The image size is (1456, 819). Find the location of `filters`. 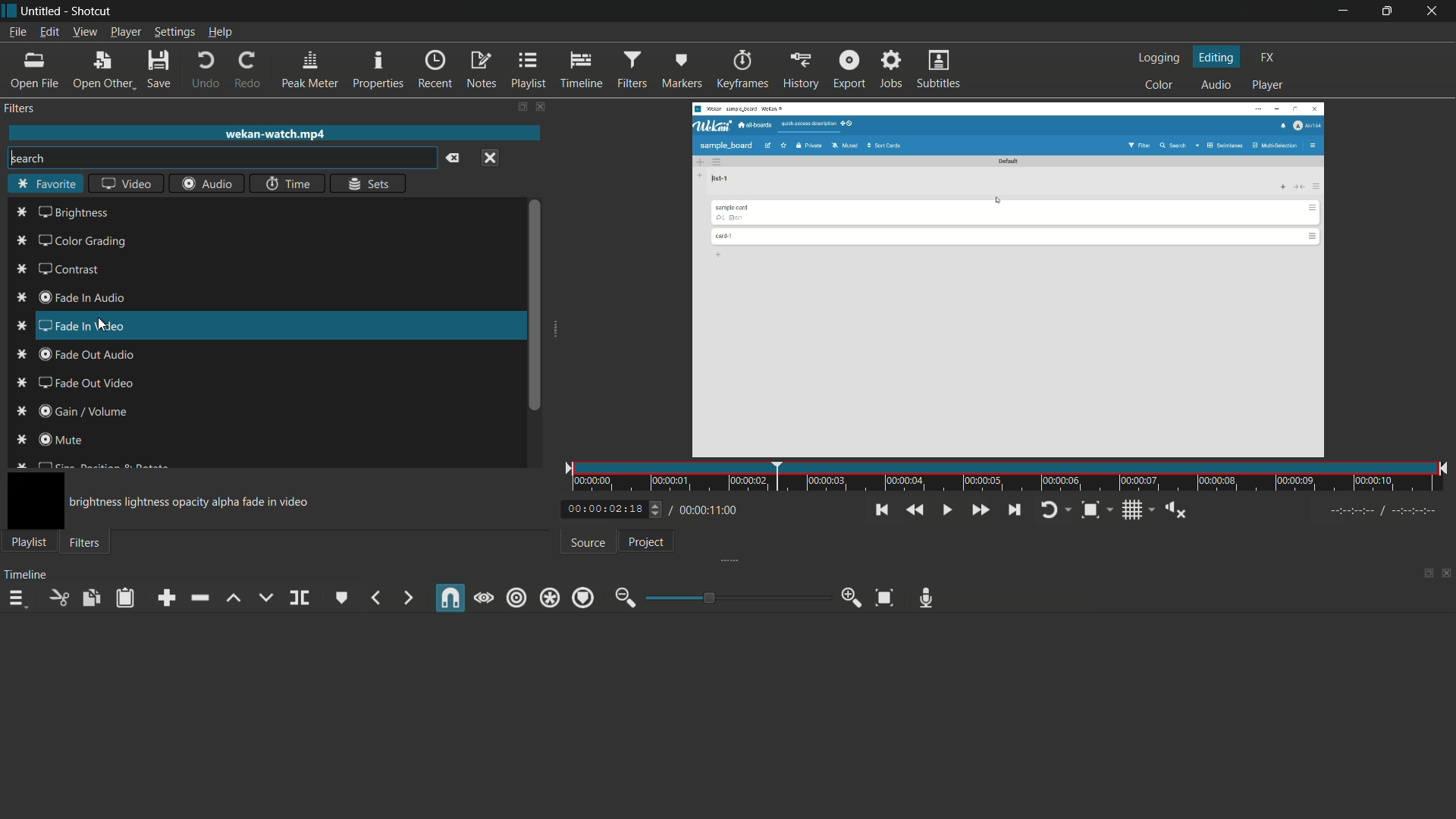

filters is located at coordinates (85, 544).